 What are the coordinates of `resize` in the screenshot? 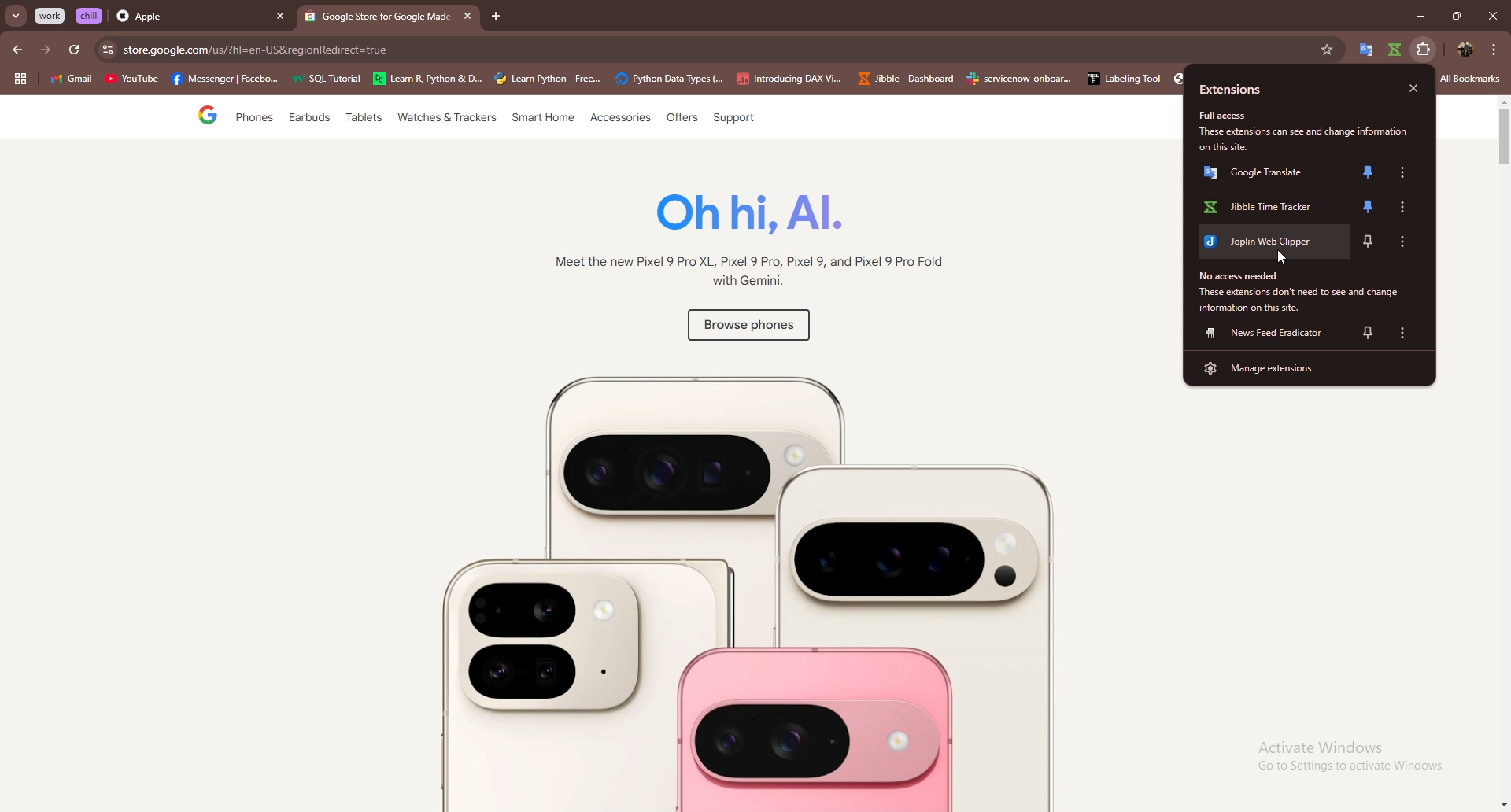 It's located at (1456, 16).